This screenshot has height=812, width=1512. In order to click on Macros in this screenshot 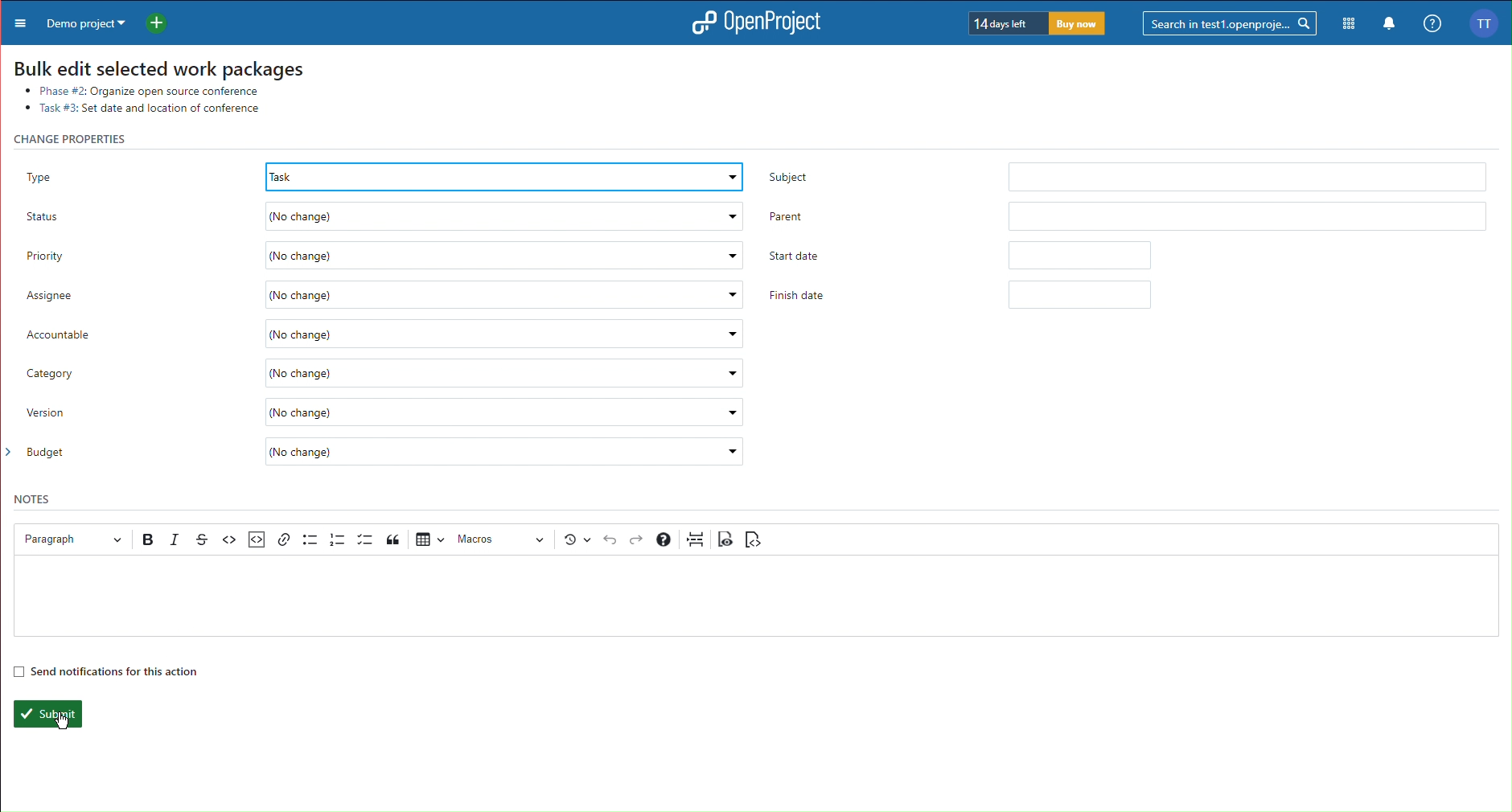, I will do `click(503, 539)`.